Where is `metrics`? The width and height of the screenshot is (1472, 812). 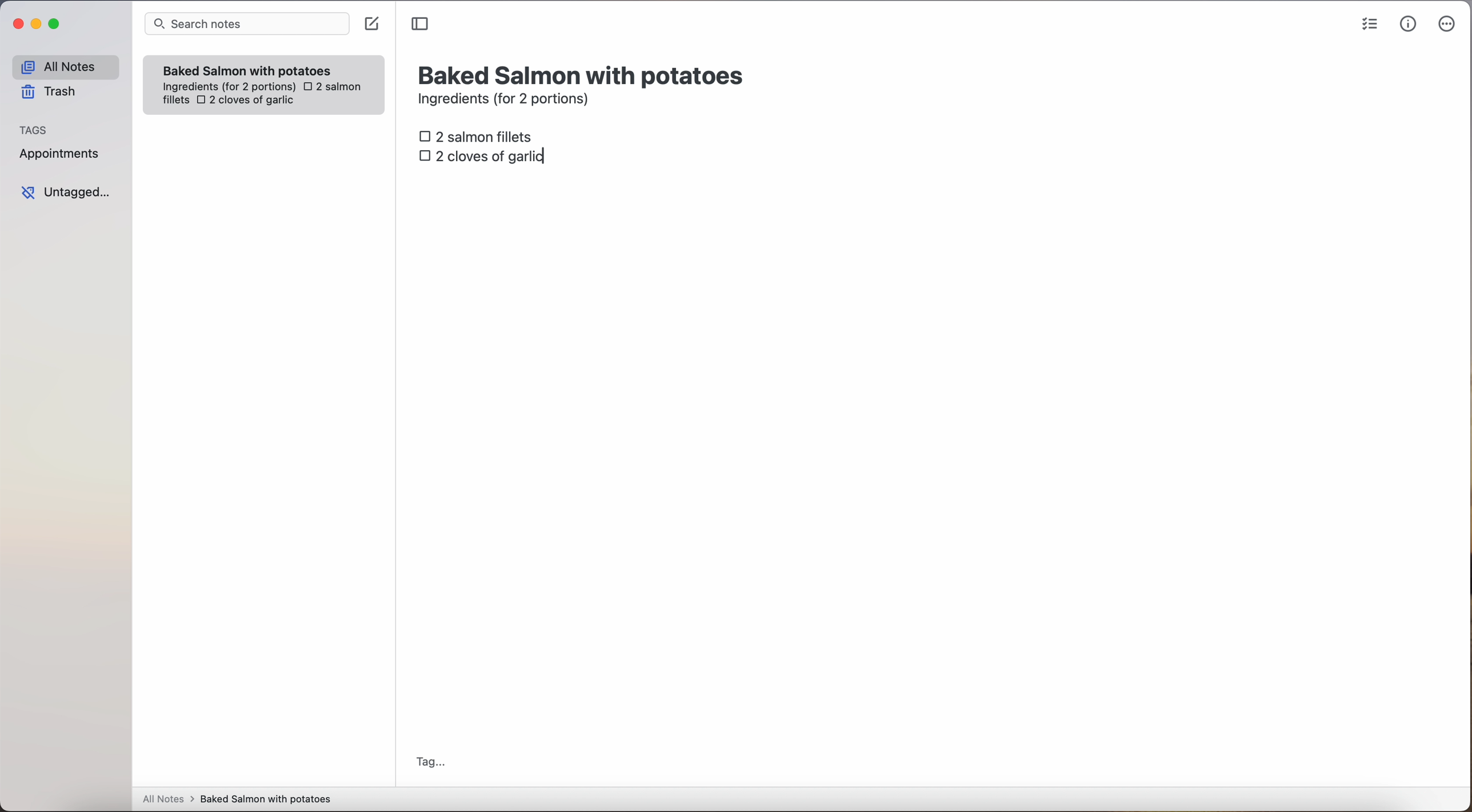
metrics is located at coordinates (1409, 23).